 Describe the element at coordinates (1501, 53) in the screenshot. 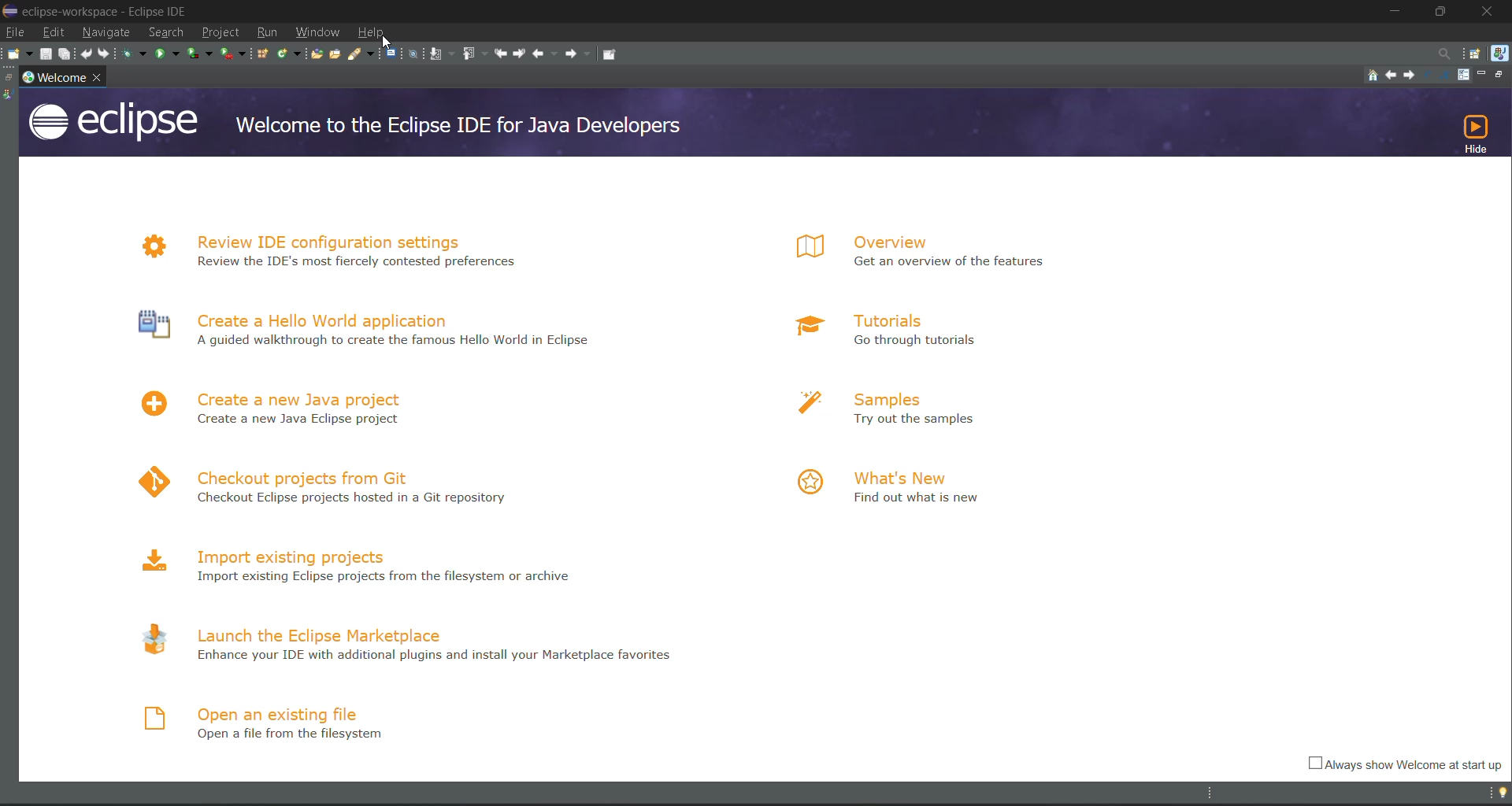

I see `java` at that location.